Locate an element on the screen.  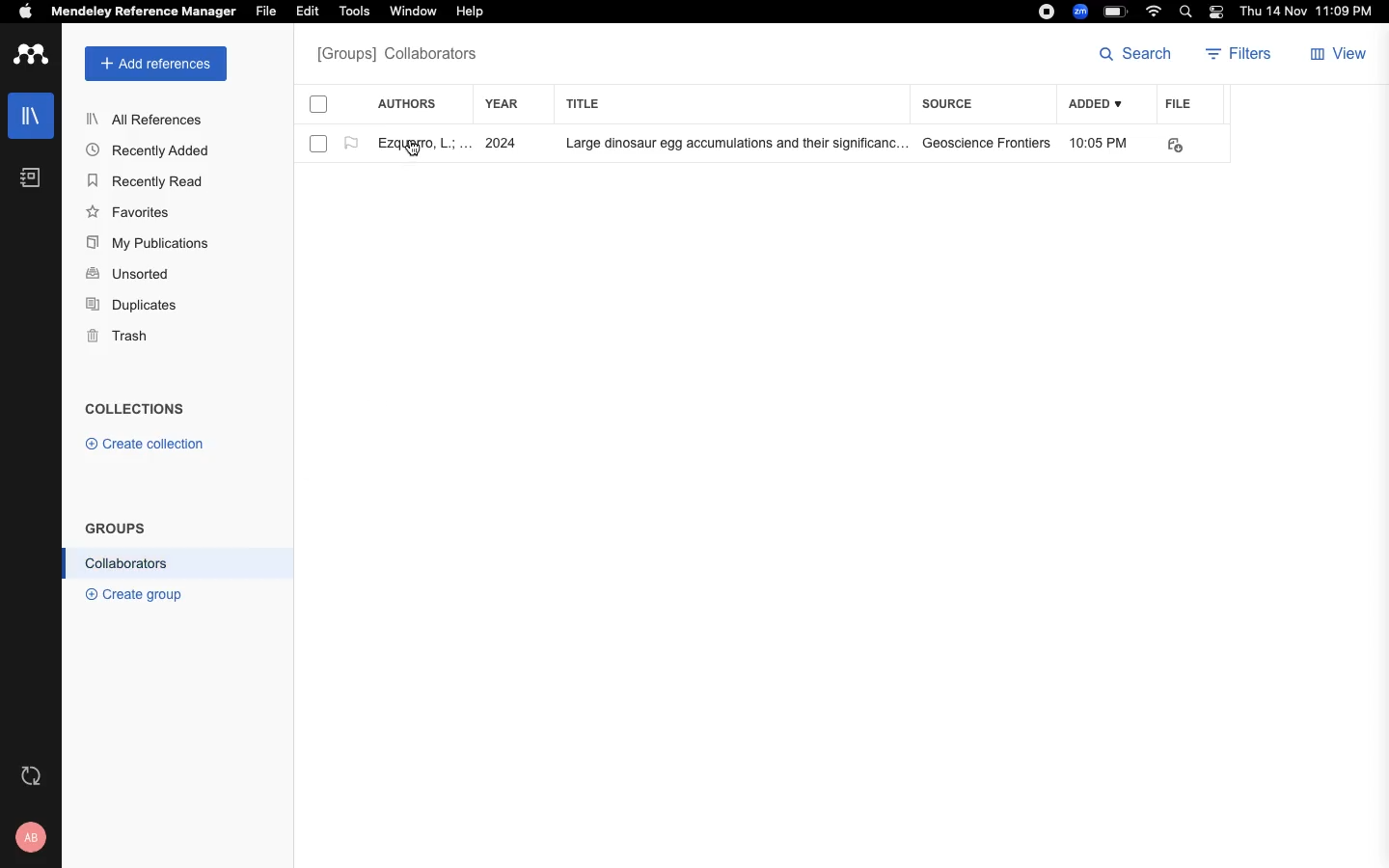
flag is located at coordinates (351, 144).